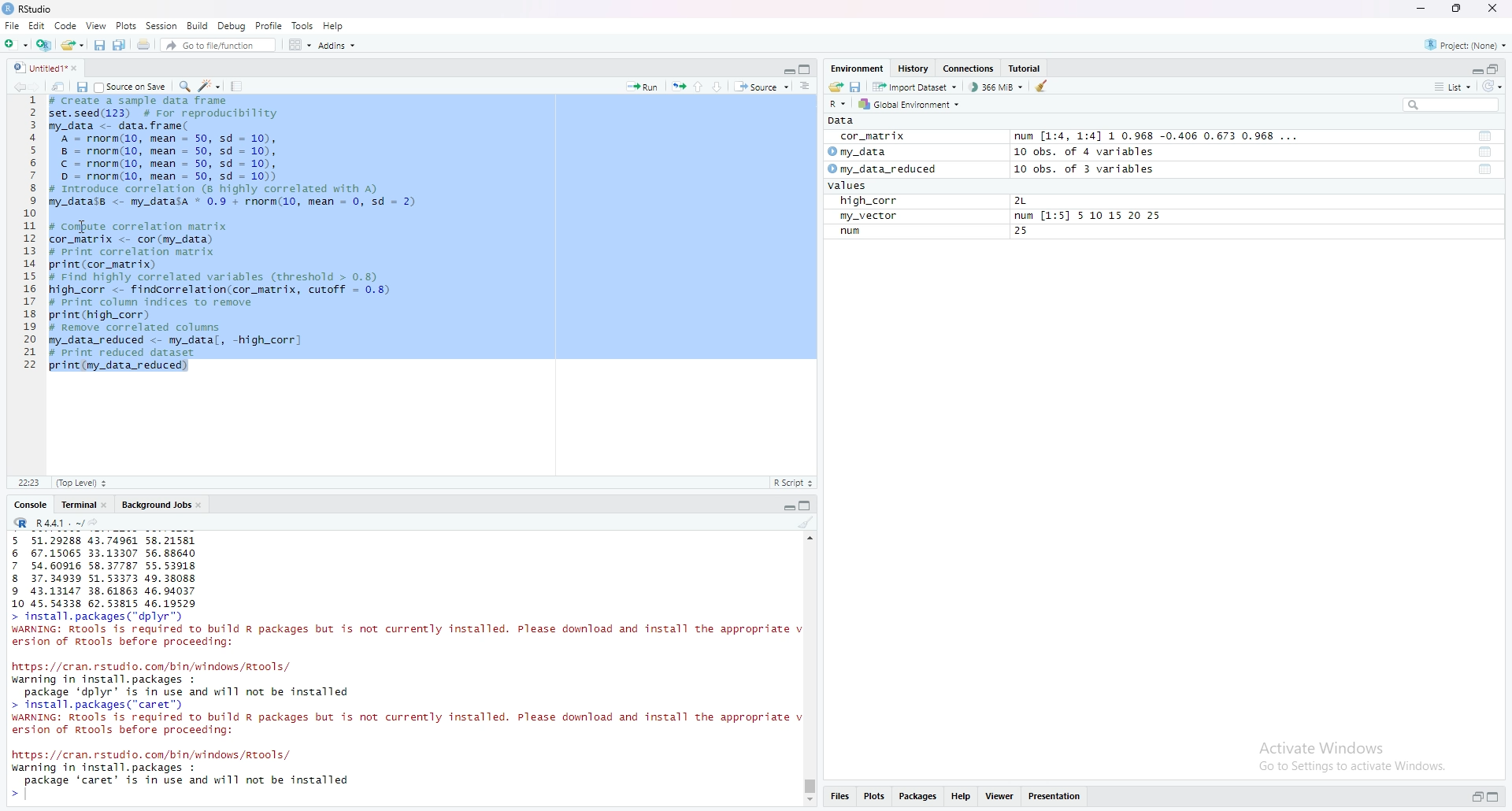  What do you see at coordinates (1476, 797) in the screenshot?
I see `open in separate window` at bounding box center [1476, 797].